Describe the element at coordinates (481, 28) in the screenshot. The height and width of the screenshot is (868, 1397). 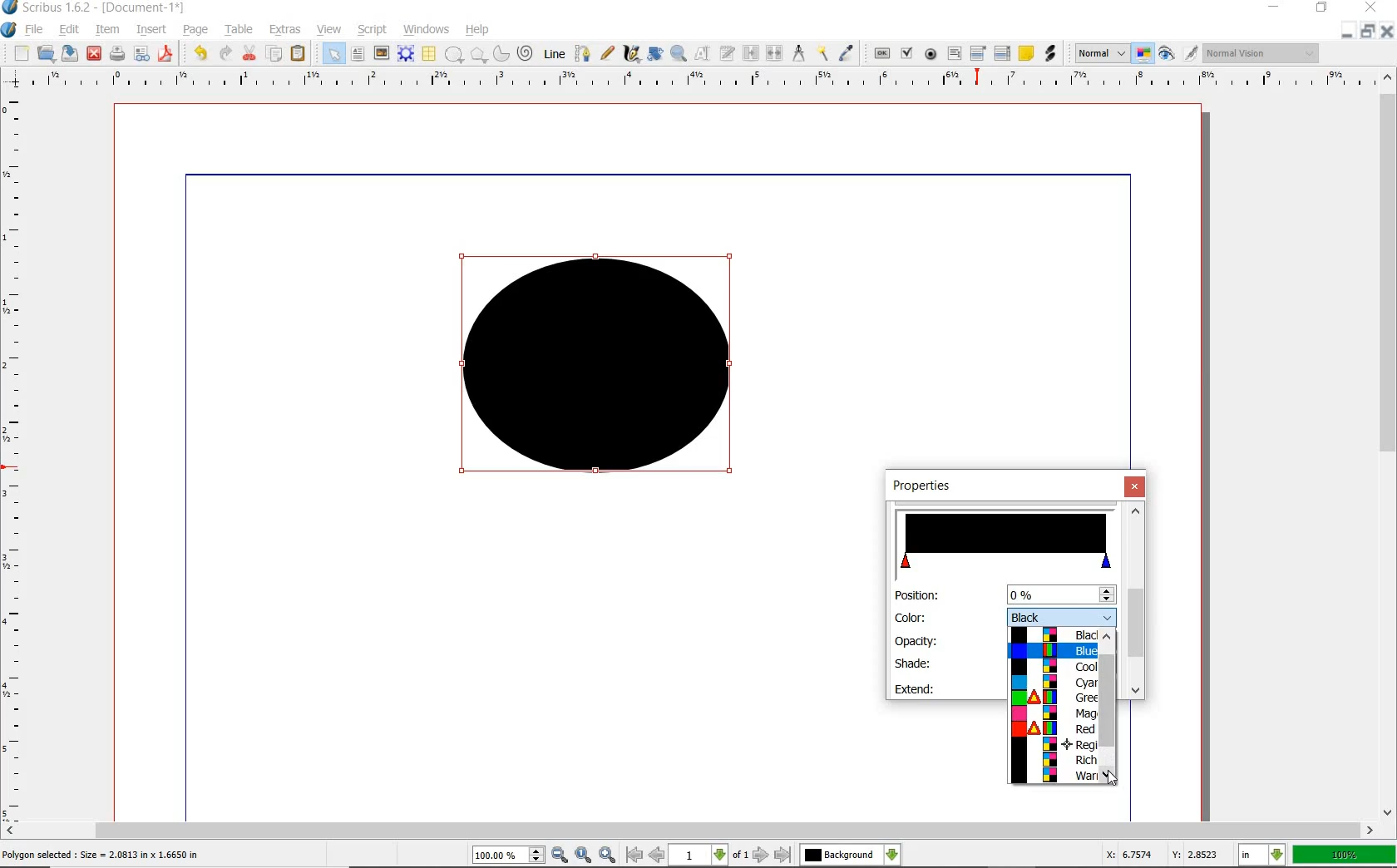
I see `HELP` at that location.